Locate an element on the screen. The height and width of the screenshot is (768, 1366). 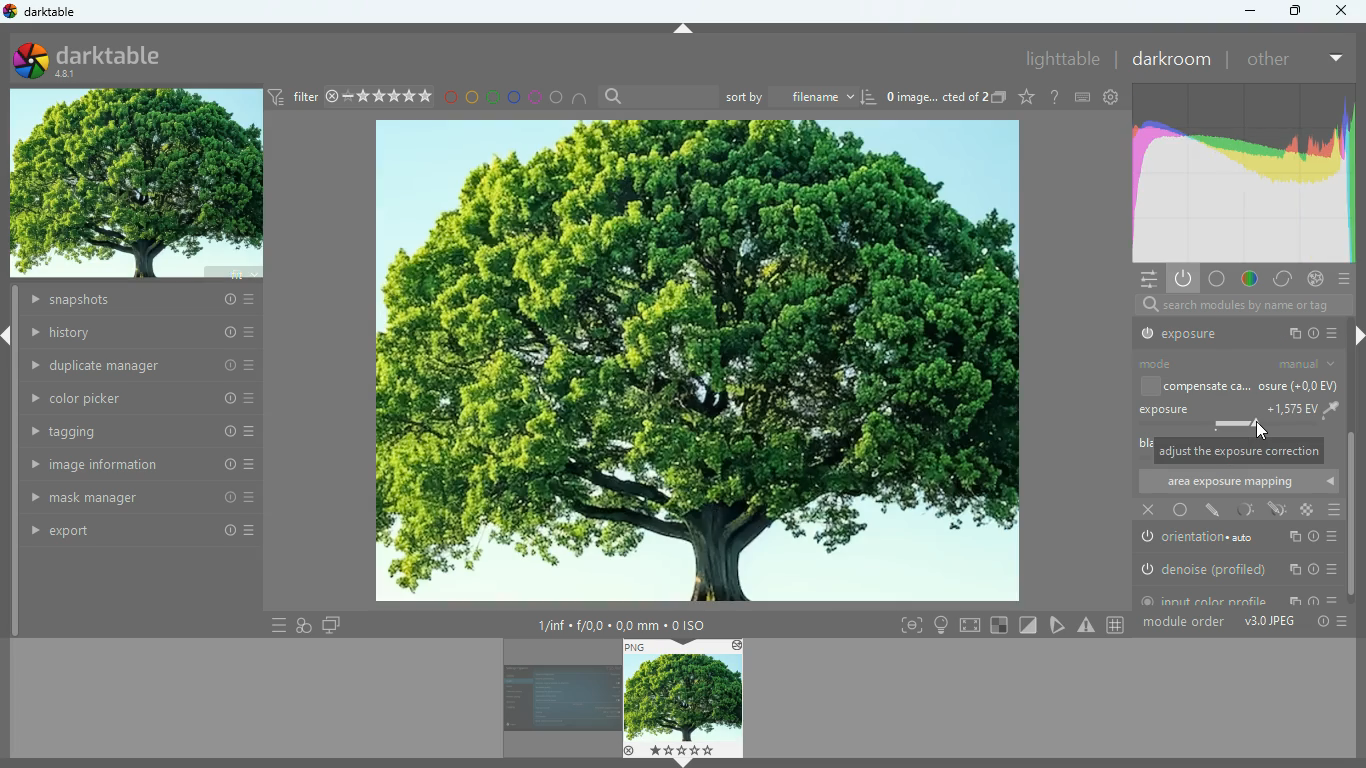
exposure is located at coordinates (1245, 427).